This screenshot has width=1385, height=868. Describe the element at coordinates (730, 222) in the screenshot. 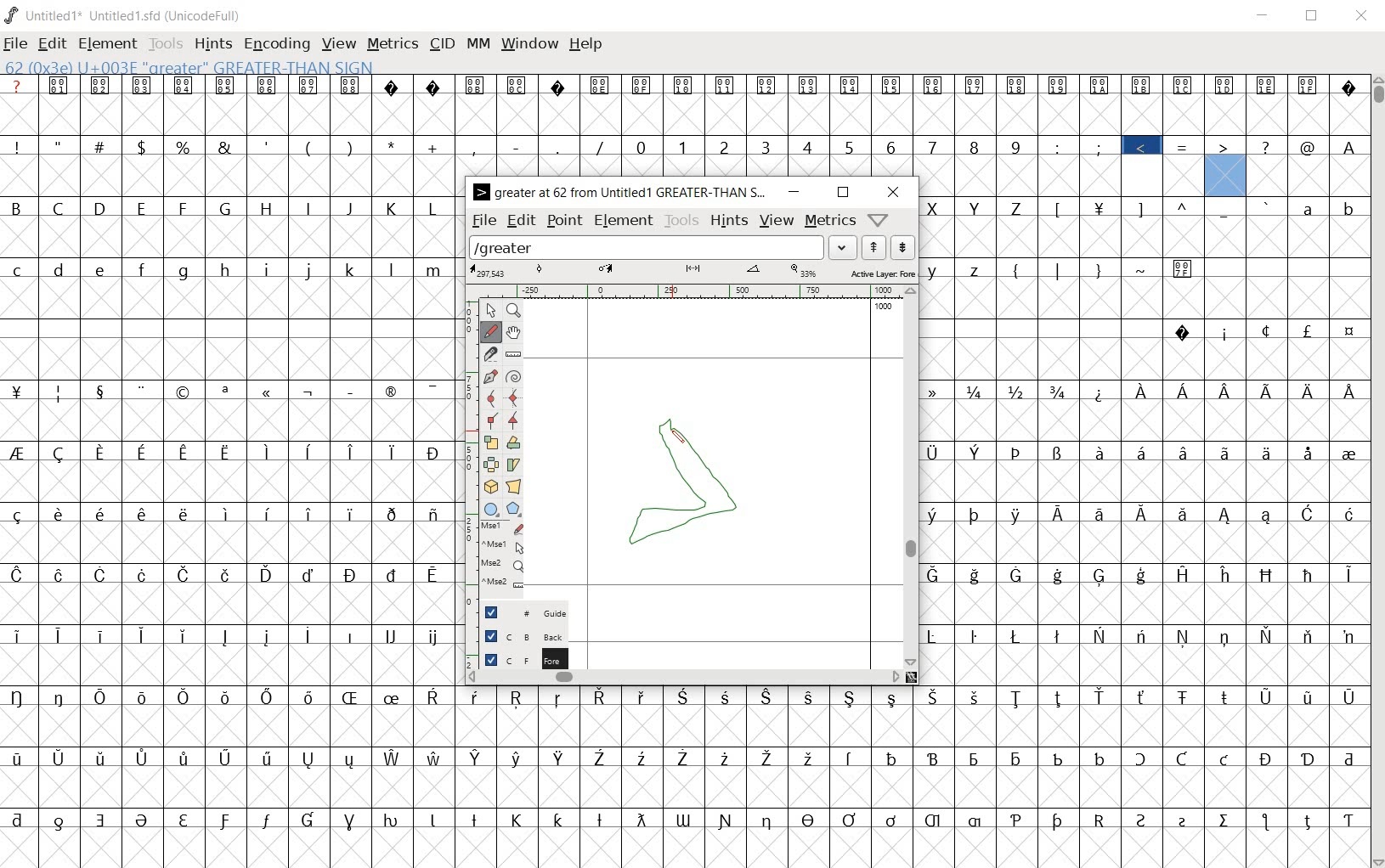

I see `hints` at that location.